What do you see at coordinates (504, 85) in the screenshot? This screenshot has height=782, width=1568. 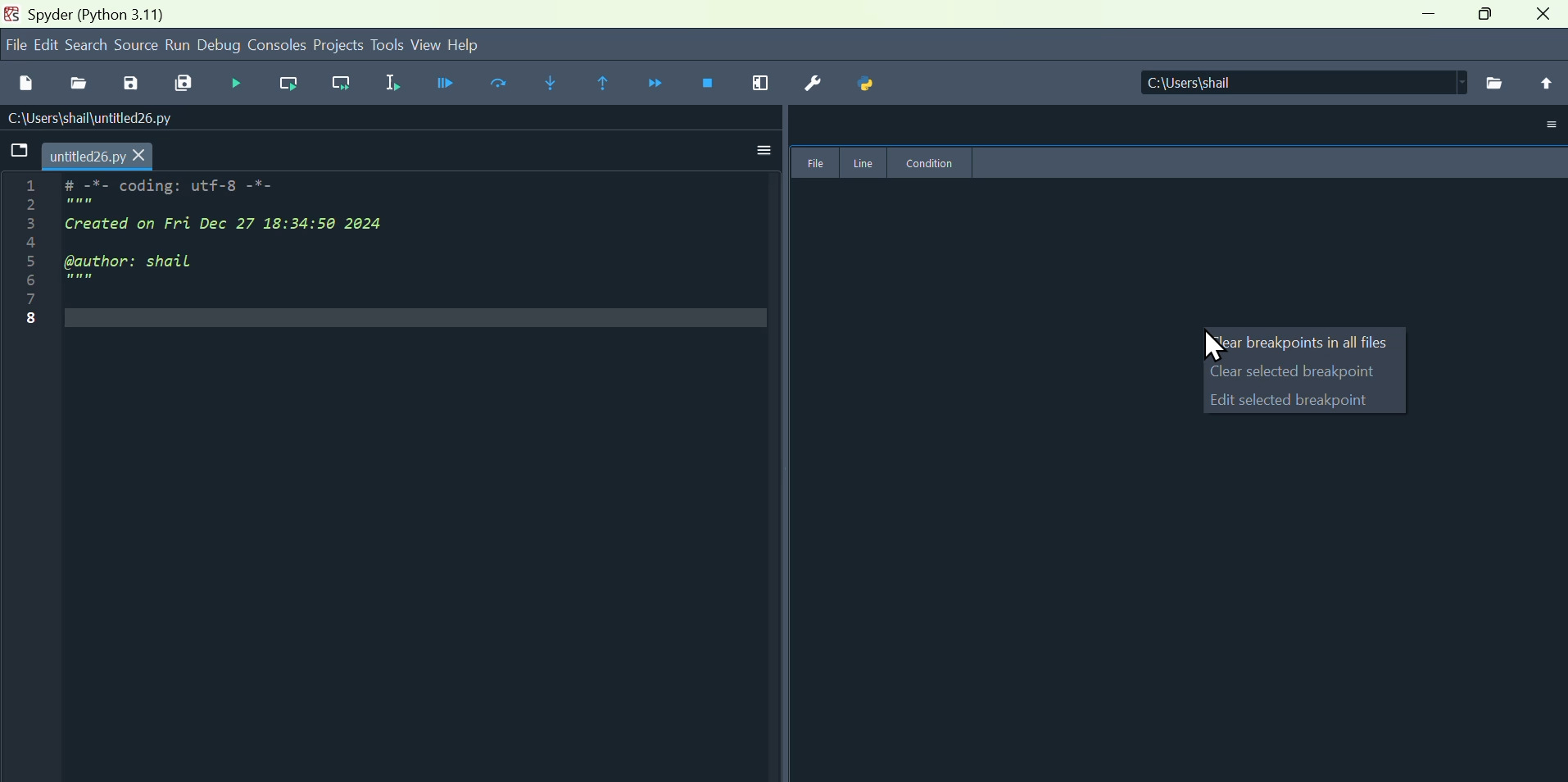 I see `Run current line` at bounding box center [504, 85].